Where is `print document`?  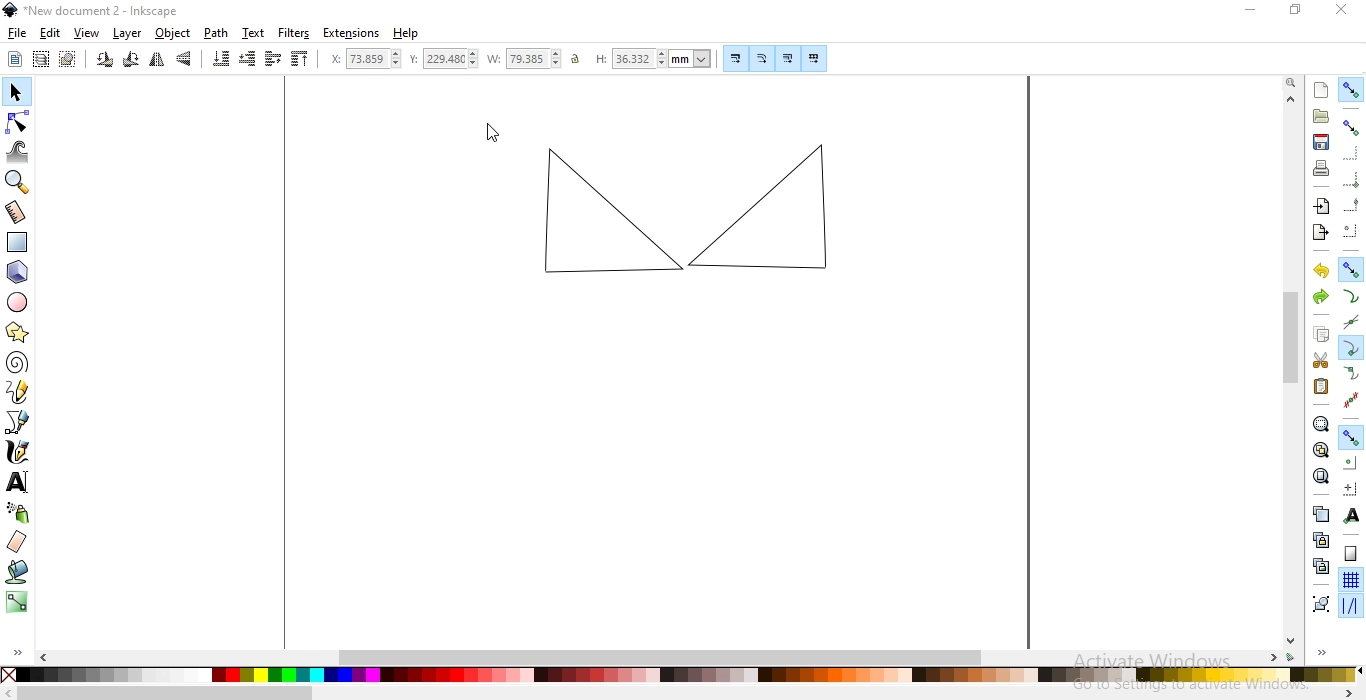
print document is located at coordinates (1323, 168).